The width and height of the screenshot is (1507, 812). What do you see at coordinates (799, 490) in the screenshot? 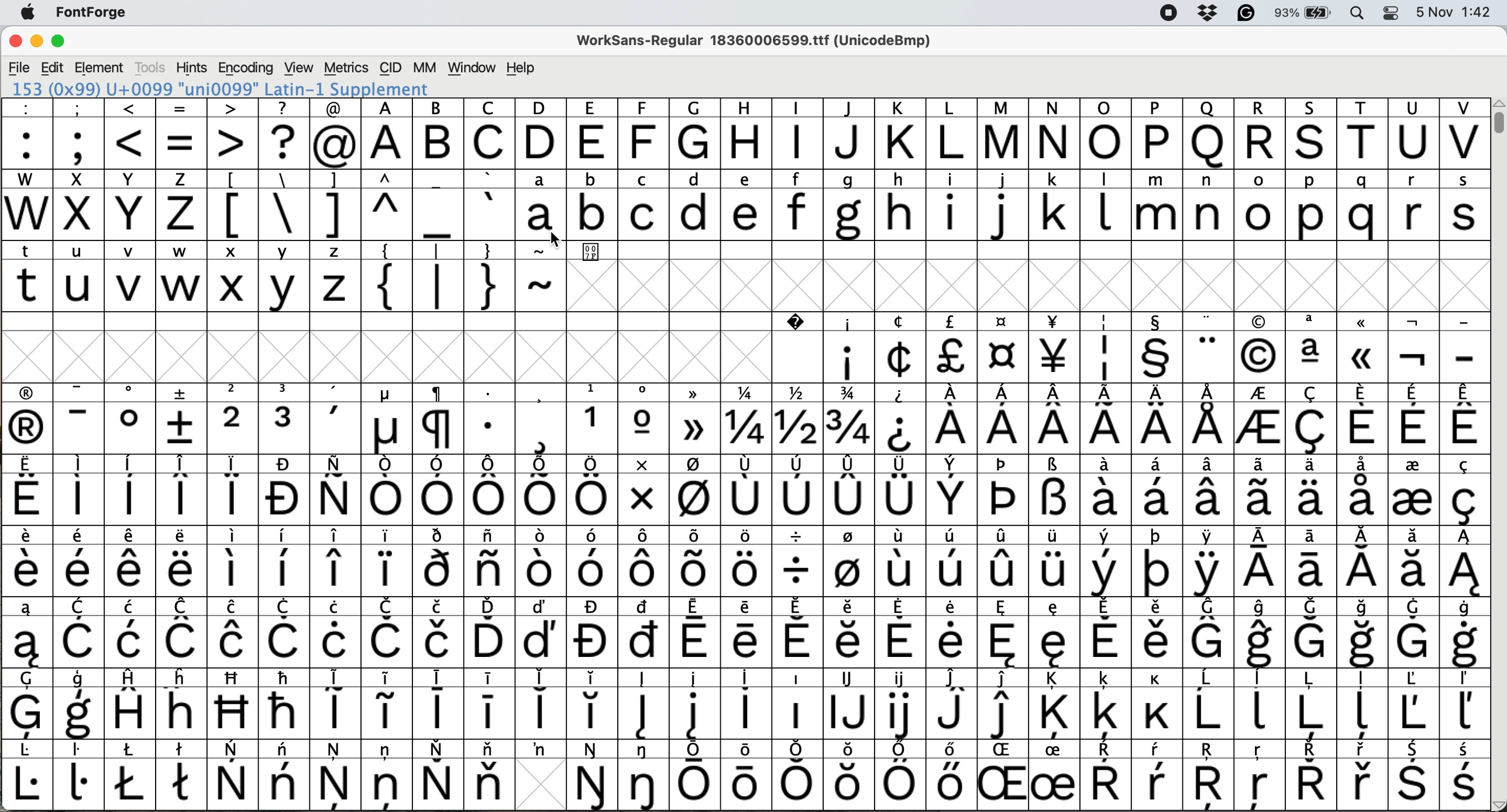
I see `symbol` at bounding box center [799, 490].